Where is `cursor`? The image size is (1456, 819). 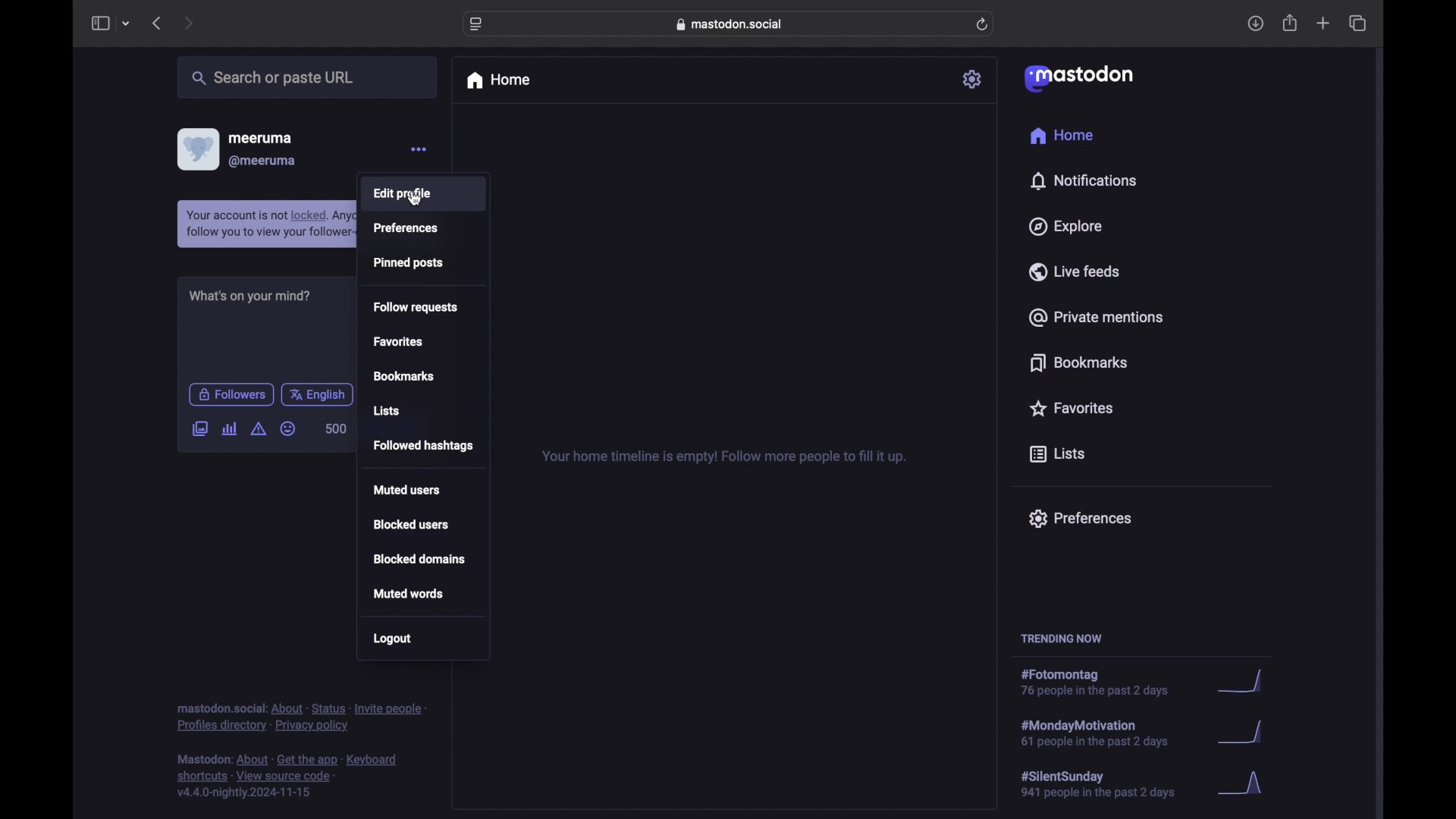
cursor is located at coordinates (417, 199).